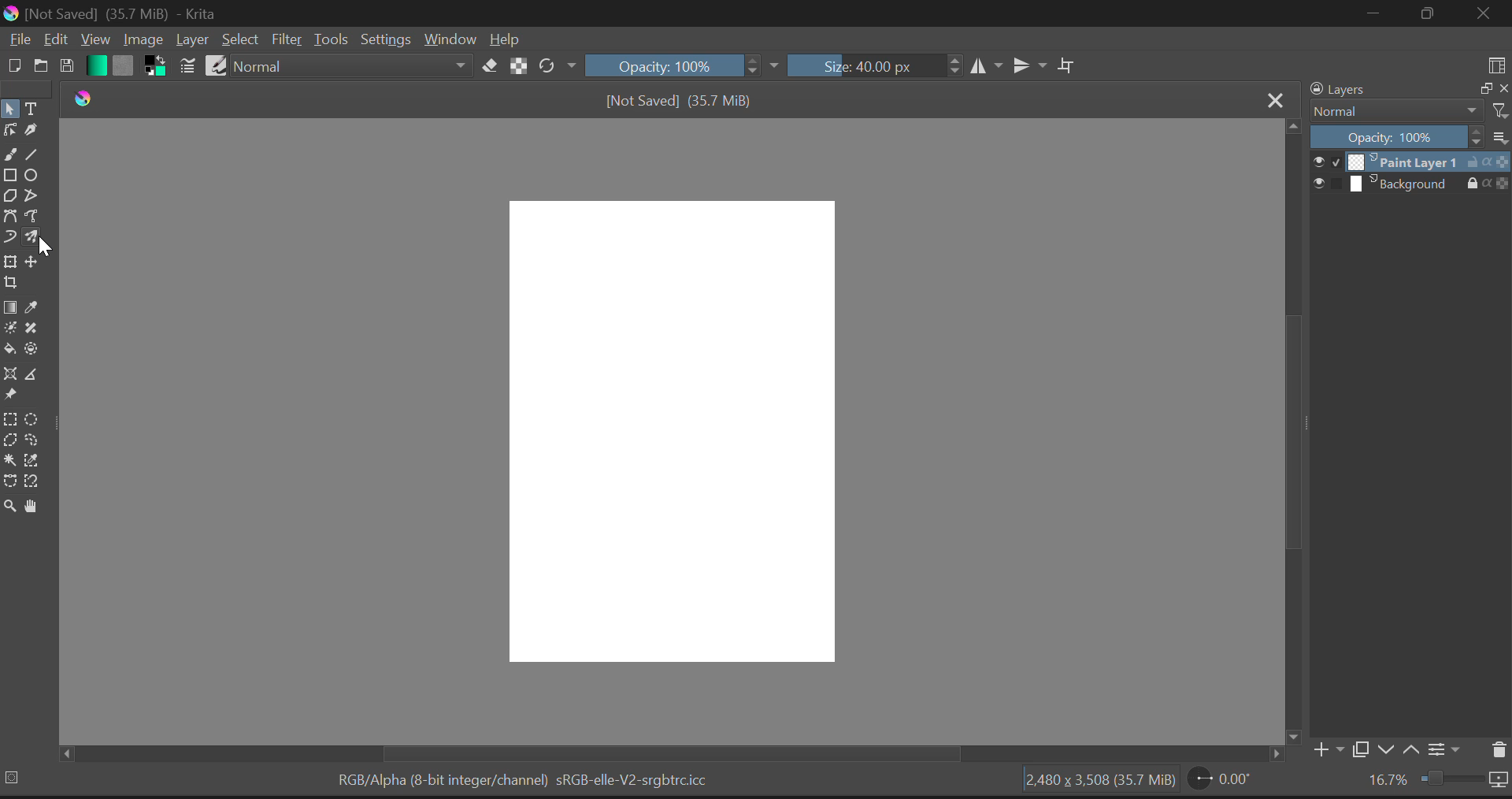 Image resolution: width=1512 pixels, height=799 pixels. I want to click on Background, so click(1410, 185).